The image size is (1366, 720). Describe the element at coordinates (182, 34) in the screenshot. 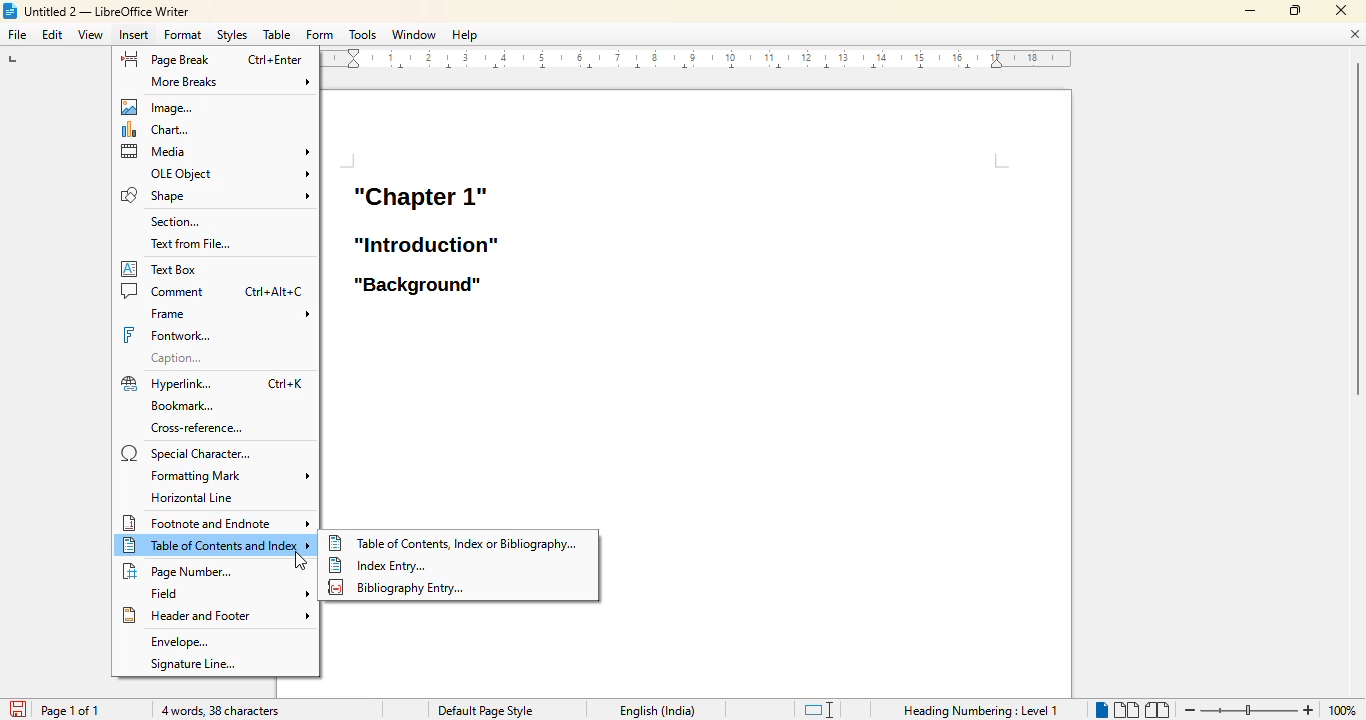

I see `format` at that location.